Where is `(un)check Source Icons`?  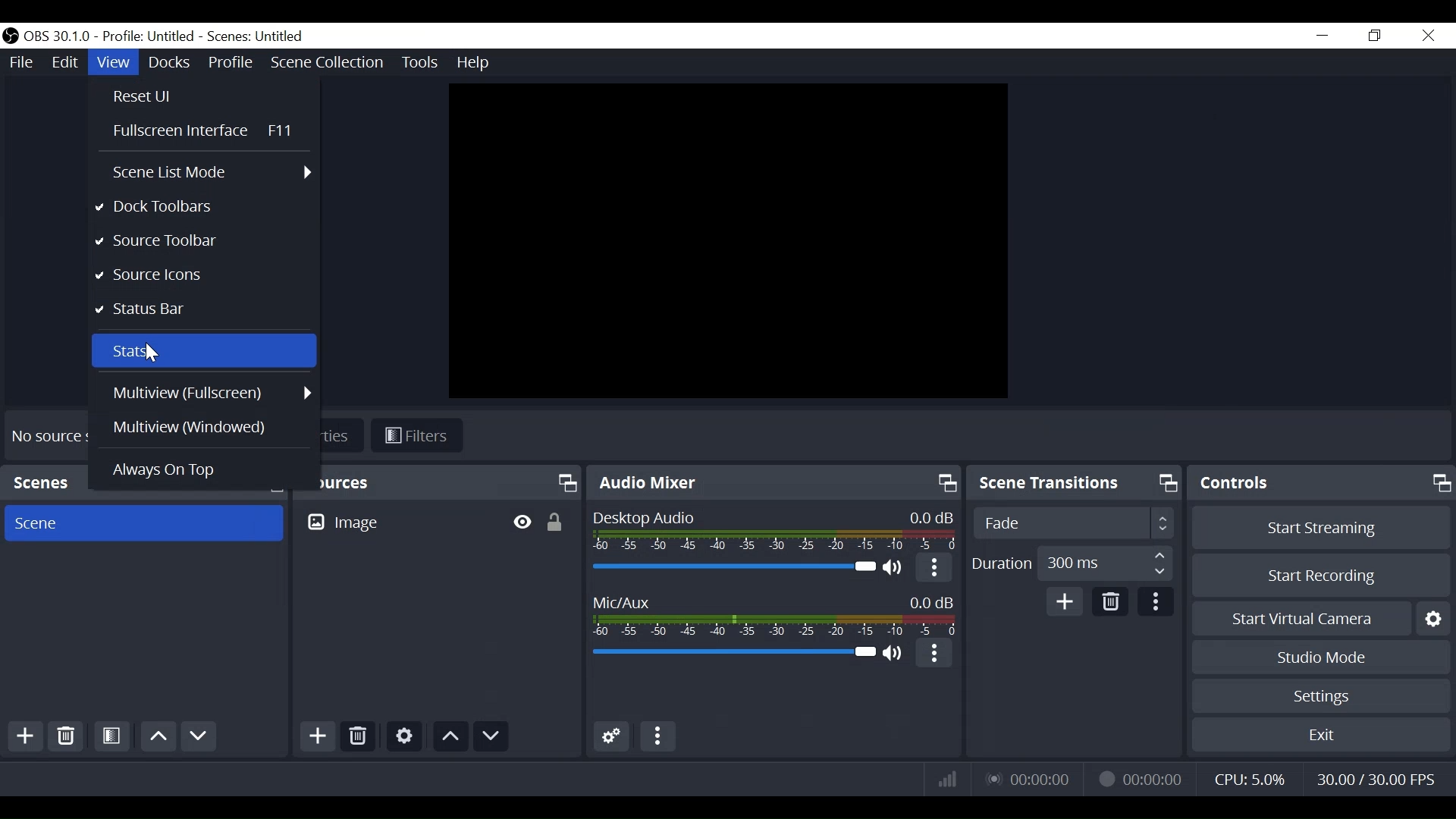
(un)check Source Icons is located at coordinates (202, 275).